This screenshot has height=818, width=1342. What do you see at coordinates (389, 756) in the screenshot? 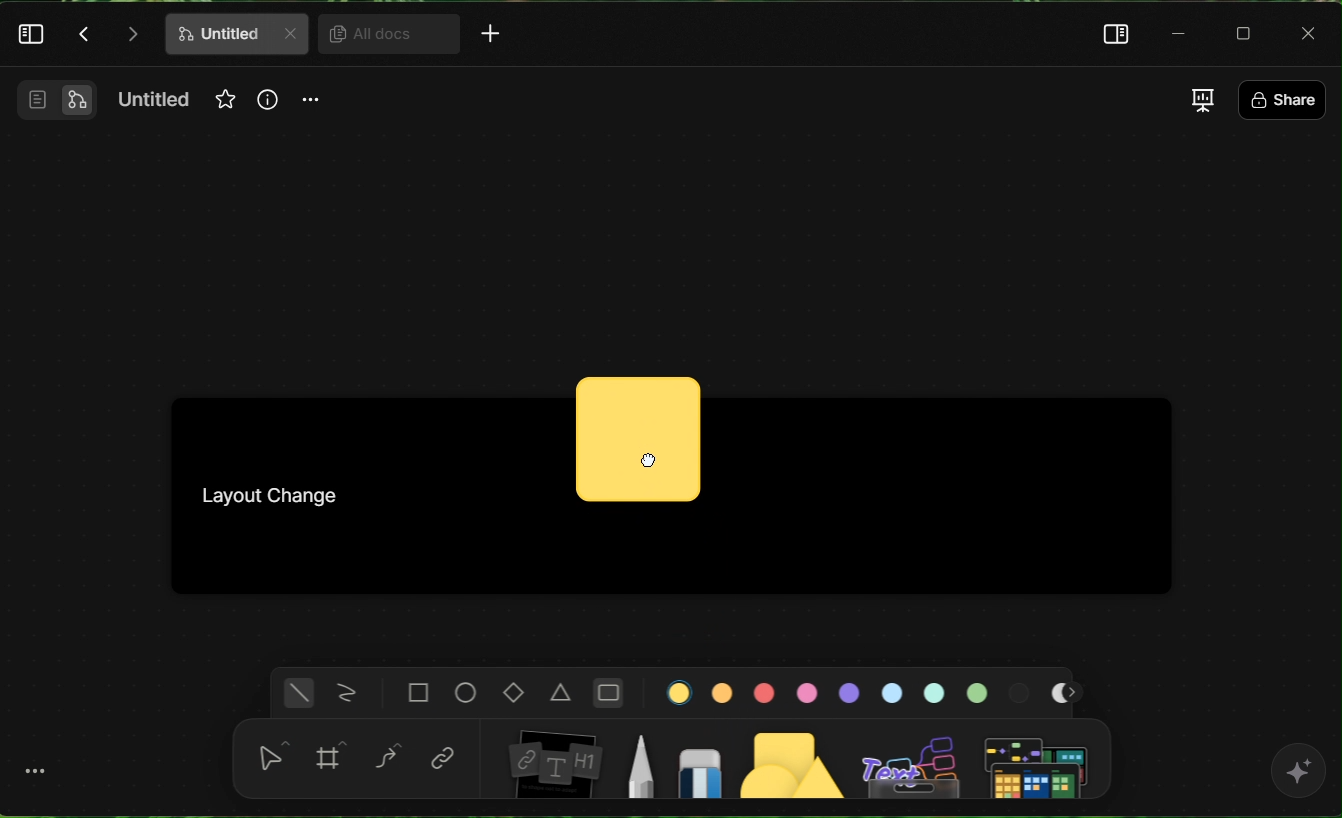
I see `curve` at bounding box center [389, 756].